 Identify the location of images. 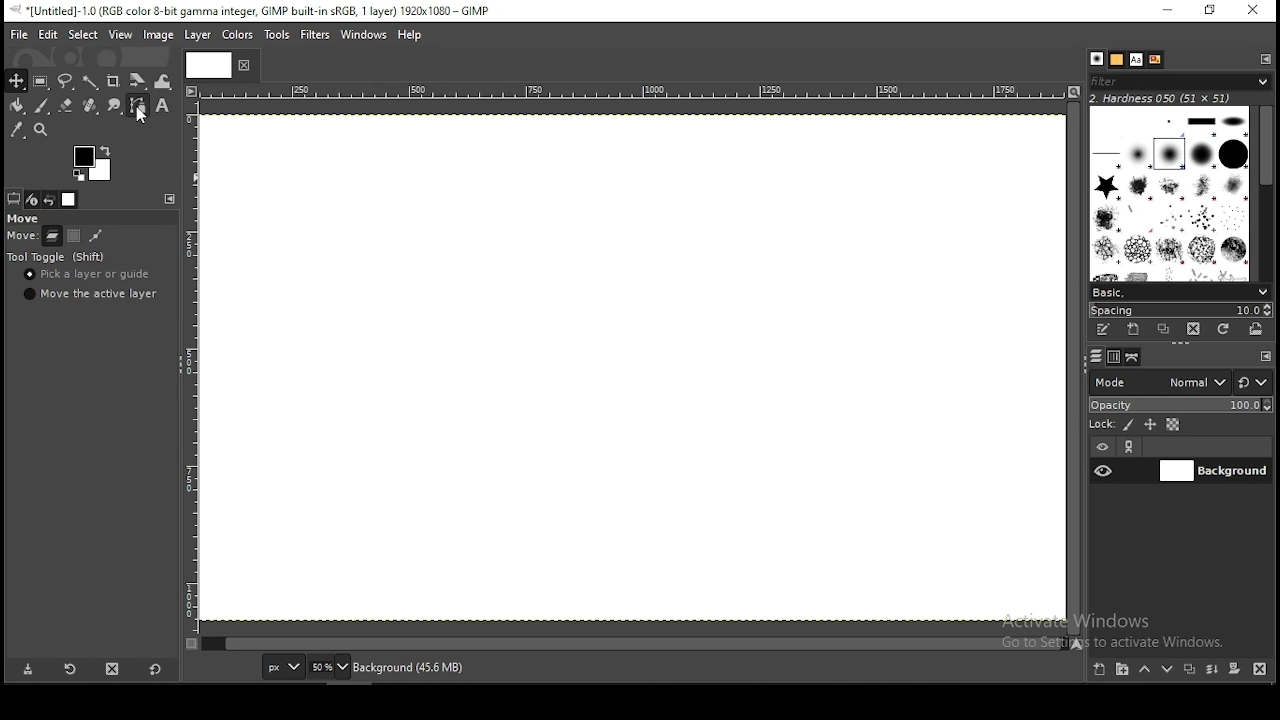
(70, 199).